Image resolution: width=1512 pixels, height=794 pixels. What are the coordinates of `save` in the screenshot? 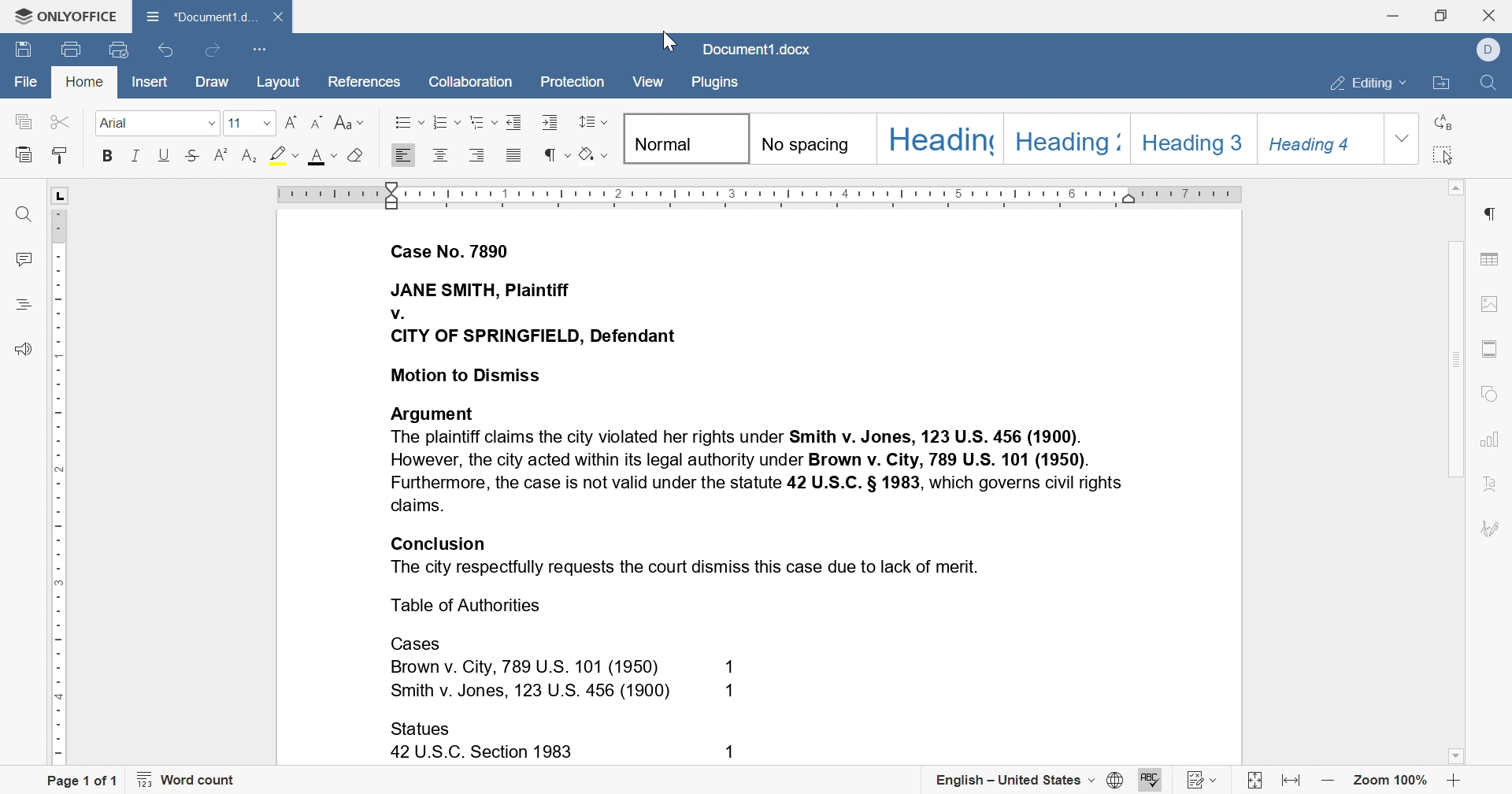 It's located at (23, 48).